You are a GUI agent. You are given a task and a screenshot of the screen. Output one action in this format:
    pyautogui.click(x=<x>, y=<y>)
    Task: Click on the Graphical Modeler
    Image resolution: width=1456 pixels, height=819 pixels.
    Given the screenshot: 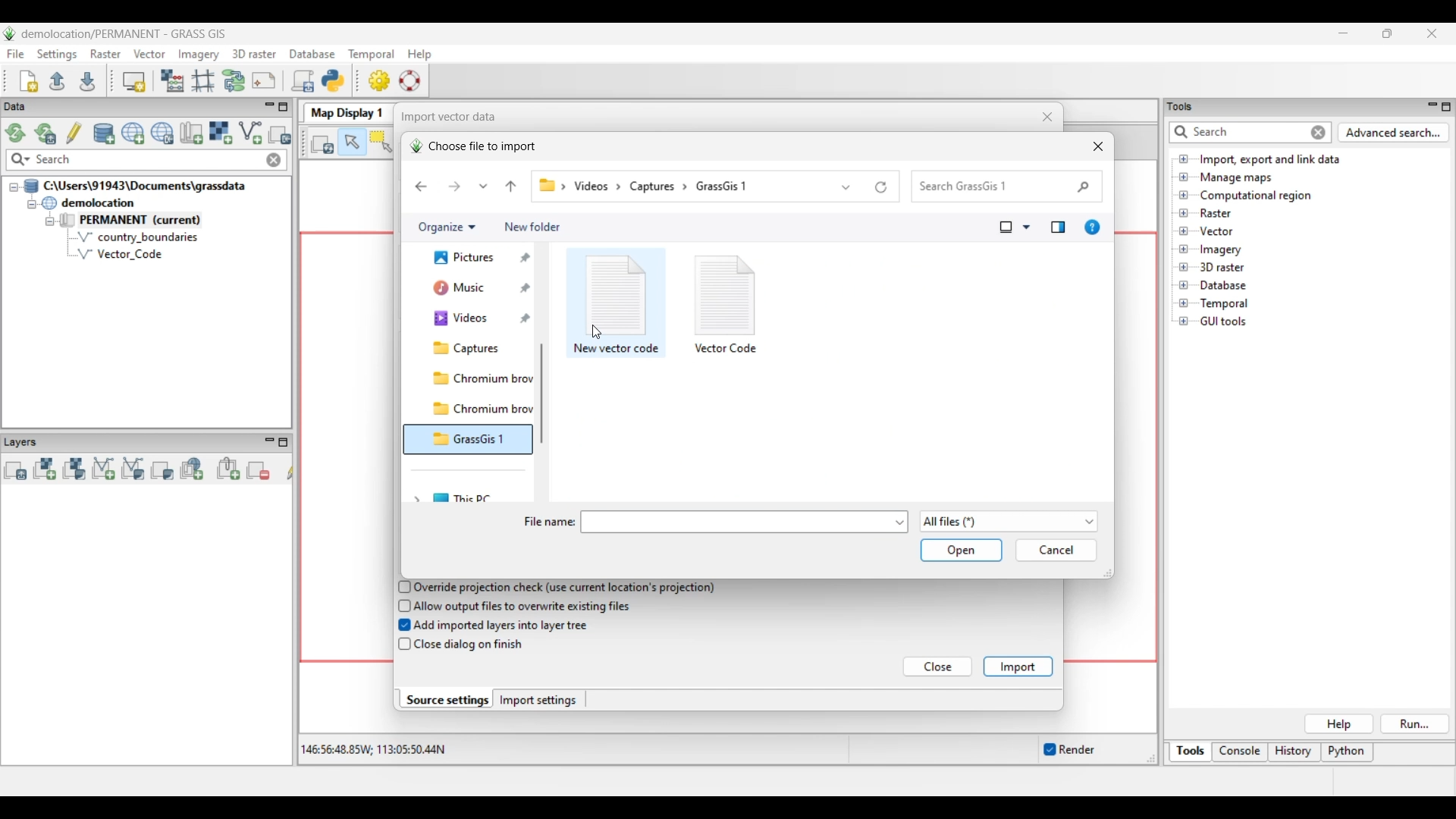 What is the action you would take?
    pyautogui.click(x=234, y=80)
    